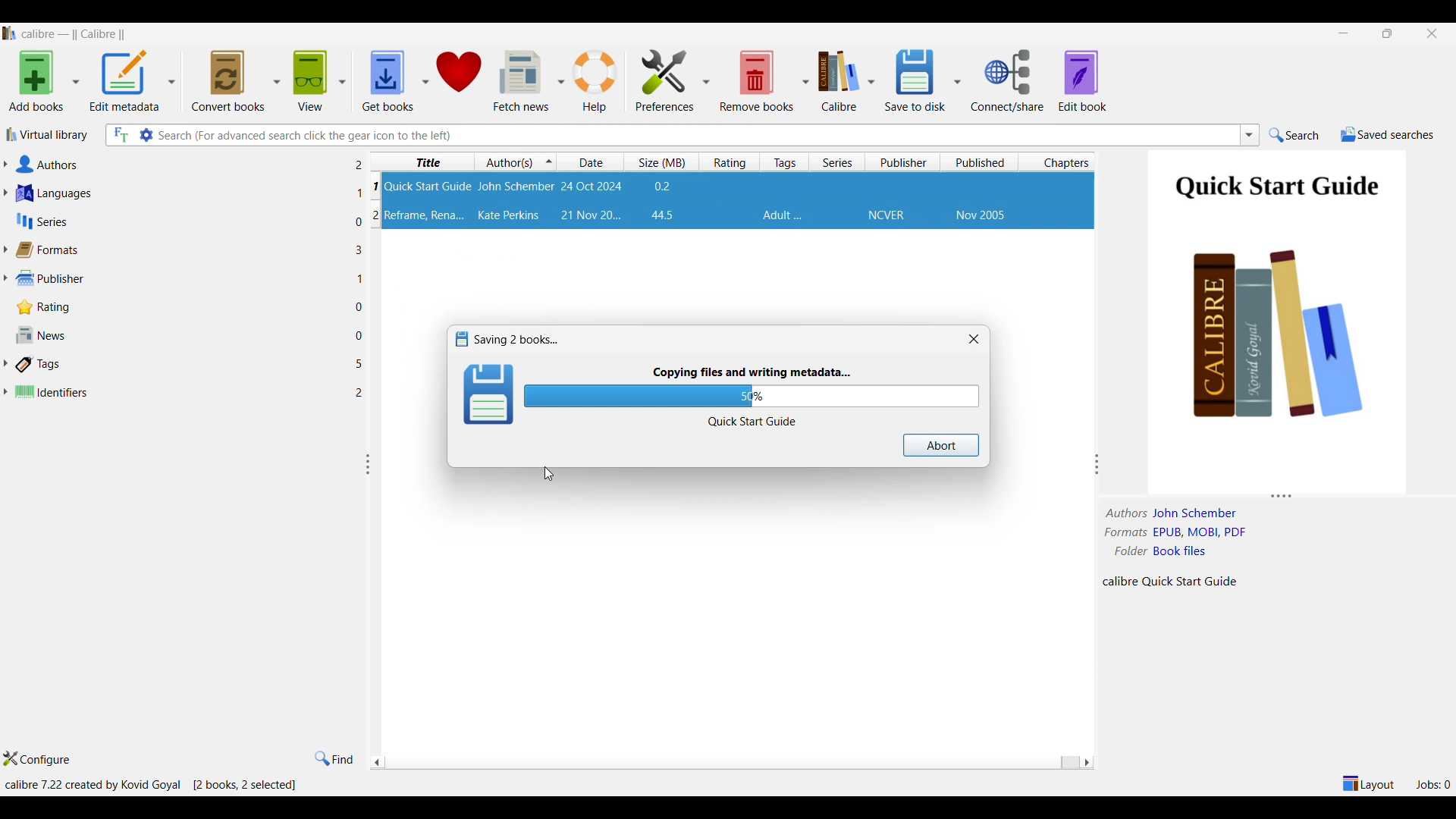 This screenshot has height=819, width=1456. I want to click on Edit metadata options, so click(132, 81).